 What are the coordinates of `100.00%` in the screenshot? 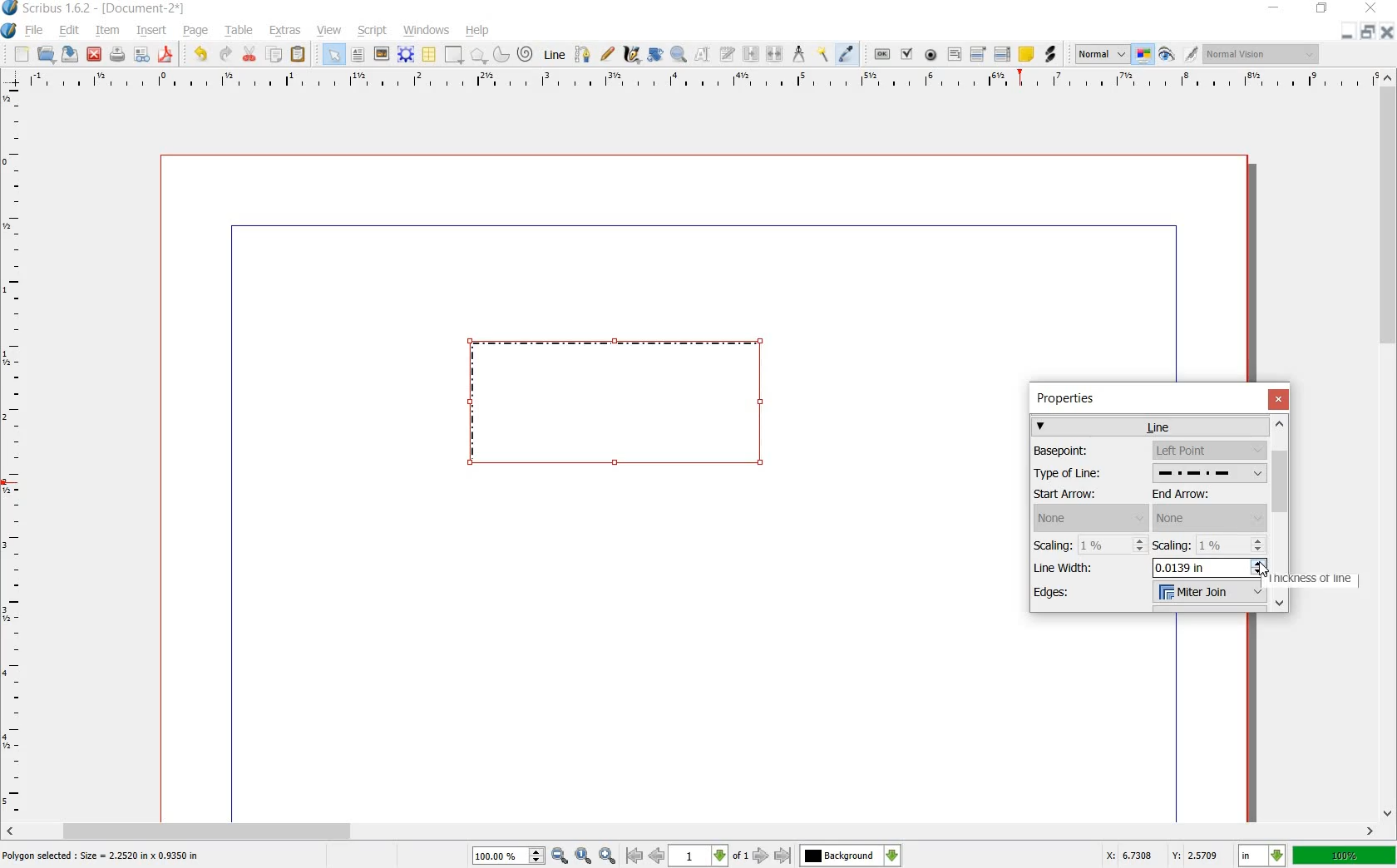 It's located at (509, 856).